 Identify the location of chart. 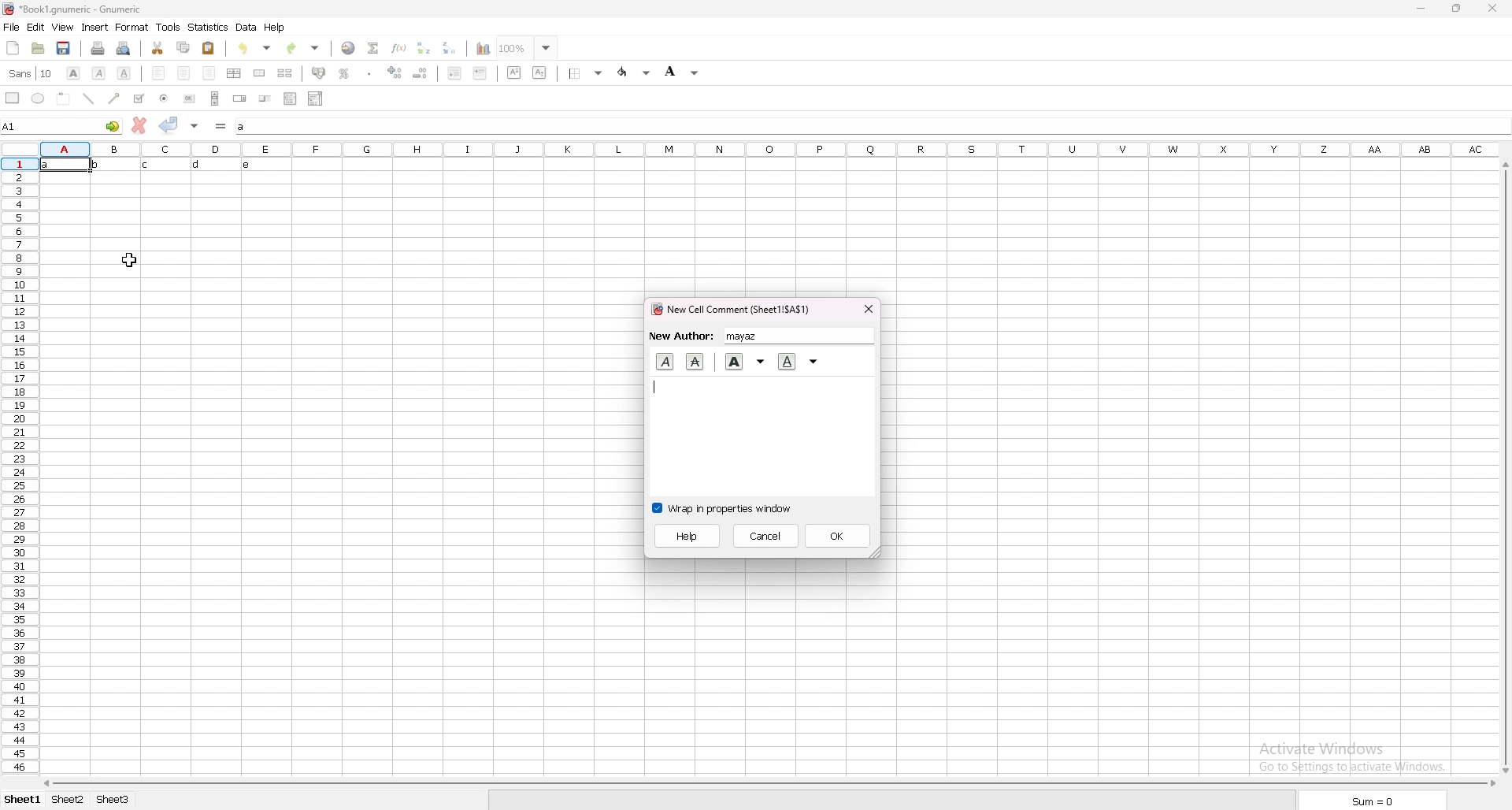
(484, 48).